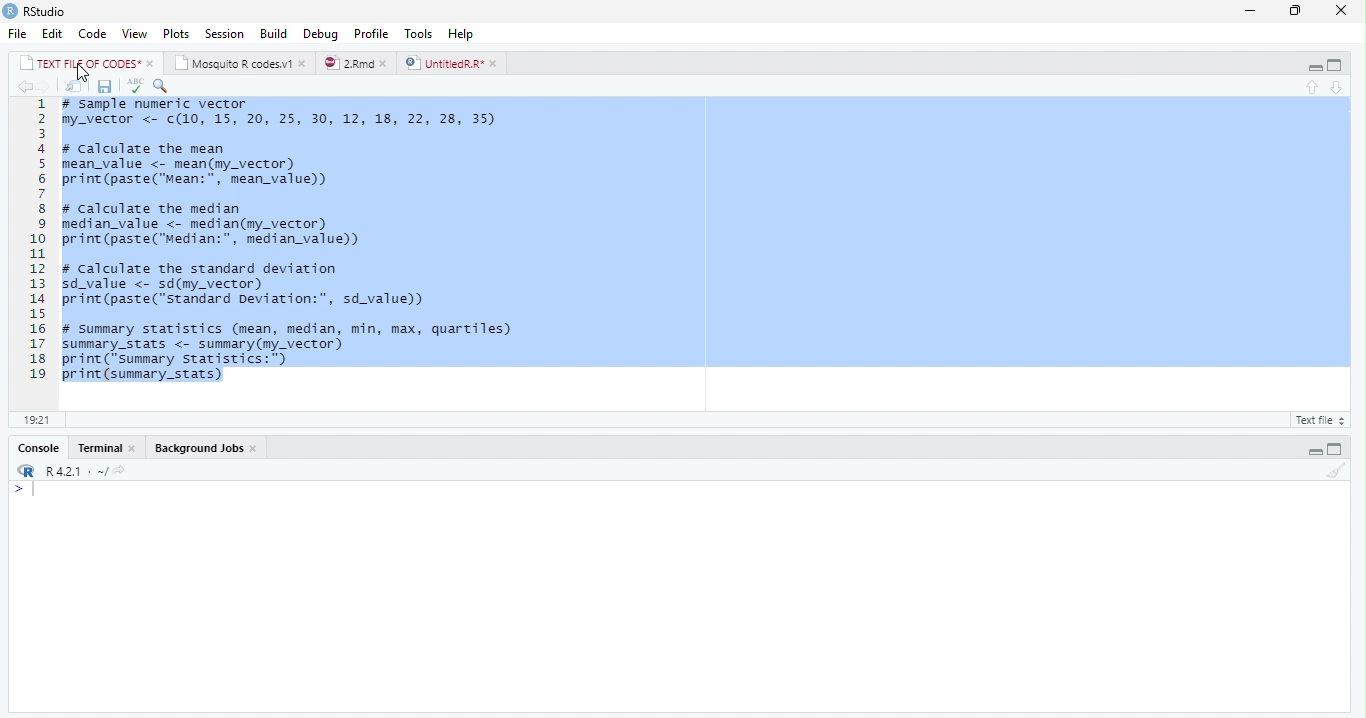 Image resolution: width=1366 pixels, height=718 pixels. What do you see at coordinates (1335, 66) in the screenshot?
I see `maximize` at bounding box center [1335, 66].